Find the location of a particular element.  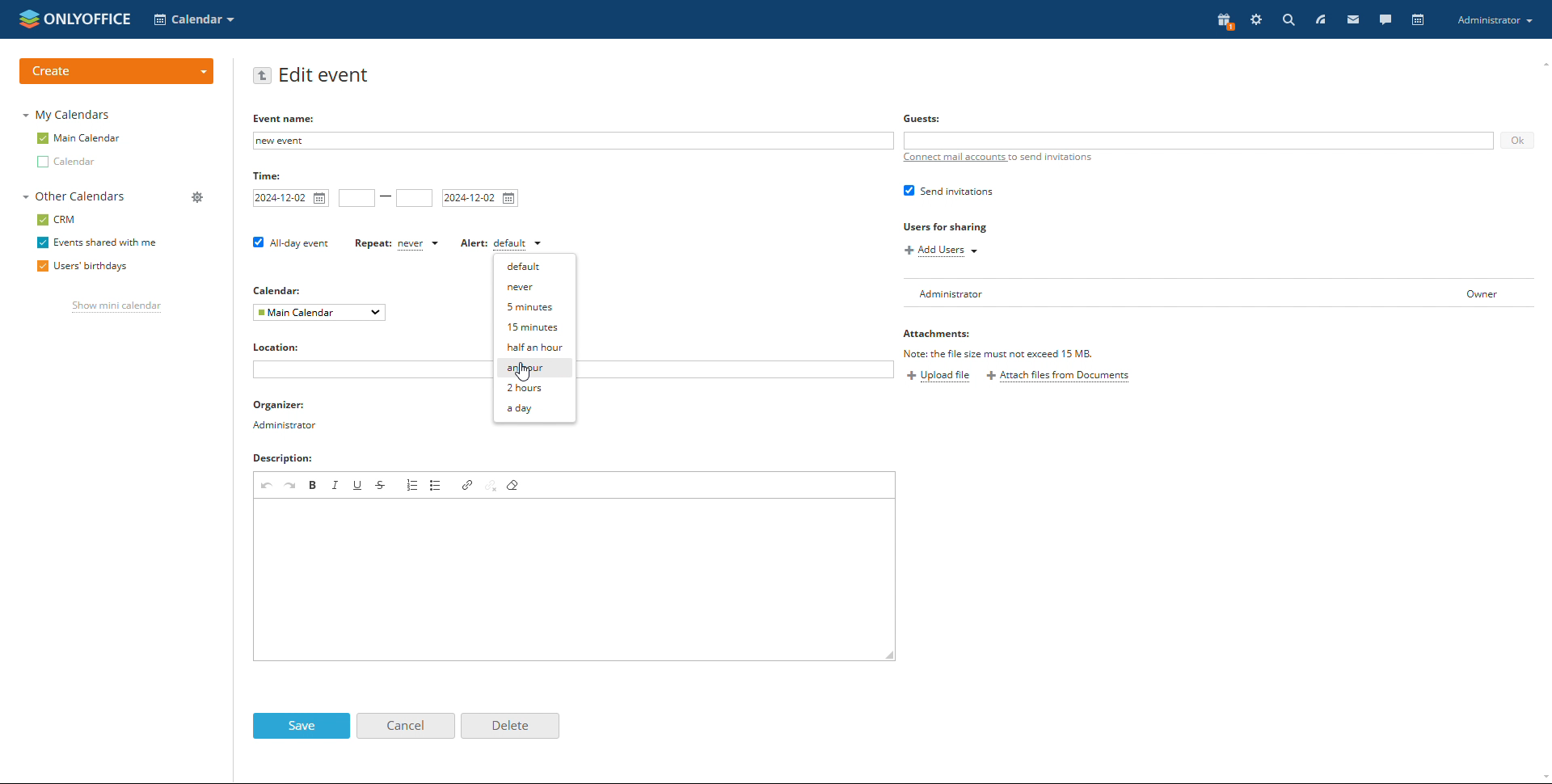

organizer detail is located at coordinates (285, 416).